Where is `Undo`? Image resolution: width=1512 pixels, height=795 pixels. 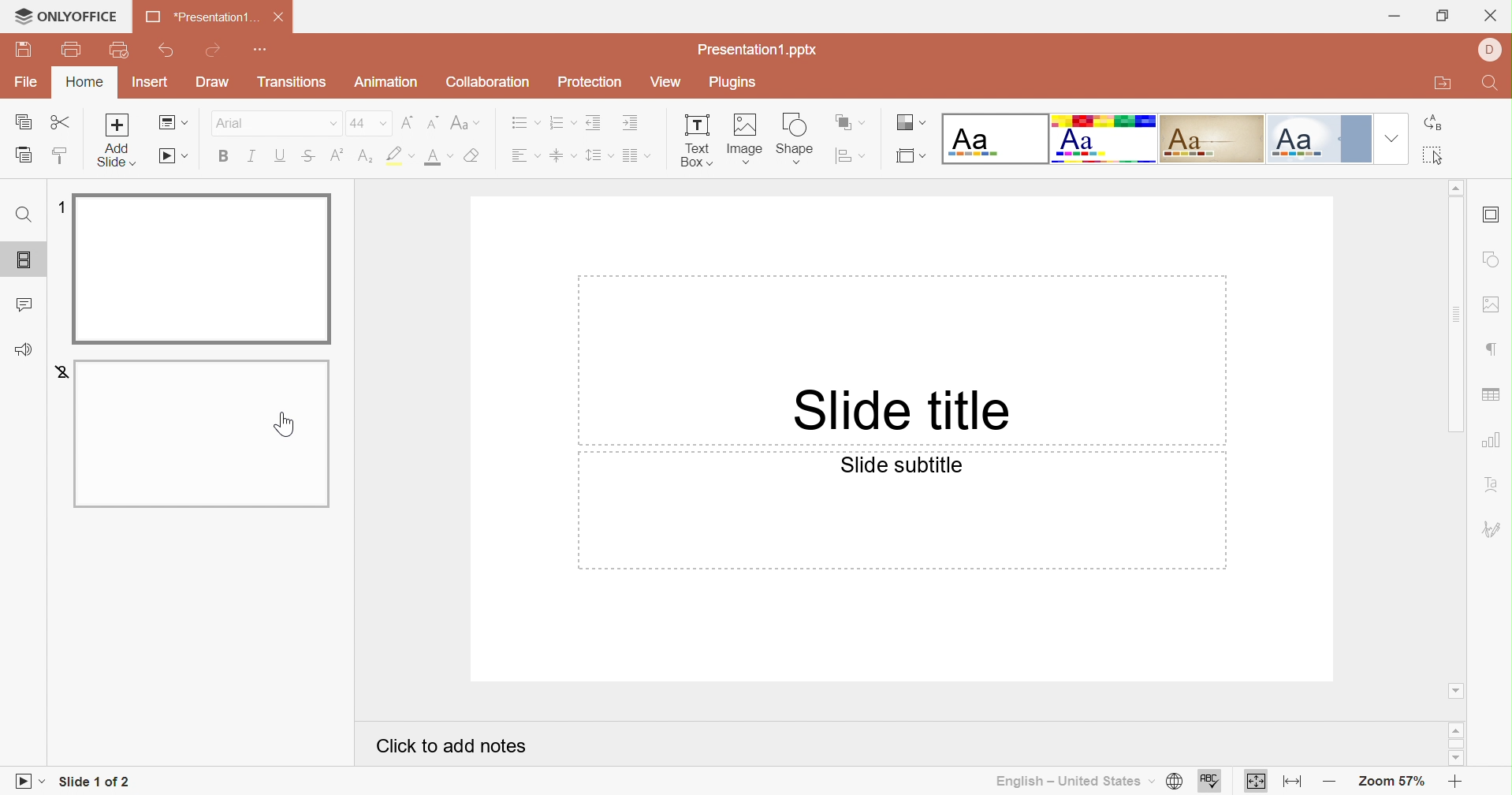
Undo is located at coordinates (166, 53).